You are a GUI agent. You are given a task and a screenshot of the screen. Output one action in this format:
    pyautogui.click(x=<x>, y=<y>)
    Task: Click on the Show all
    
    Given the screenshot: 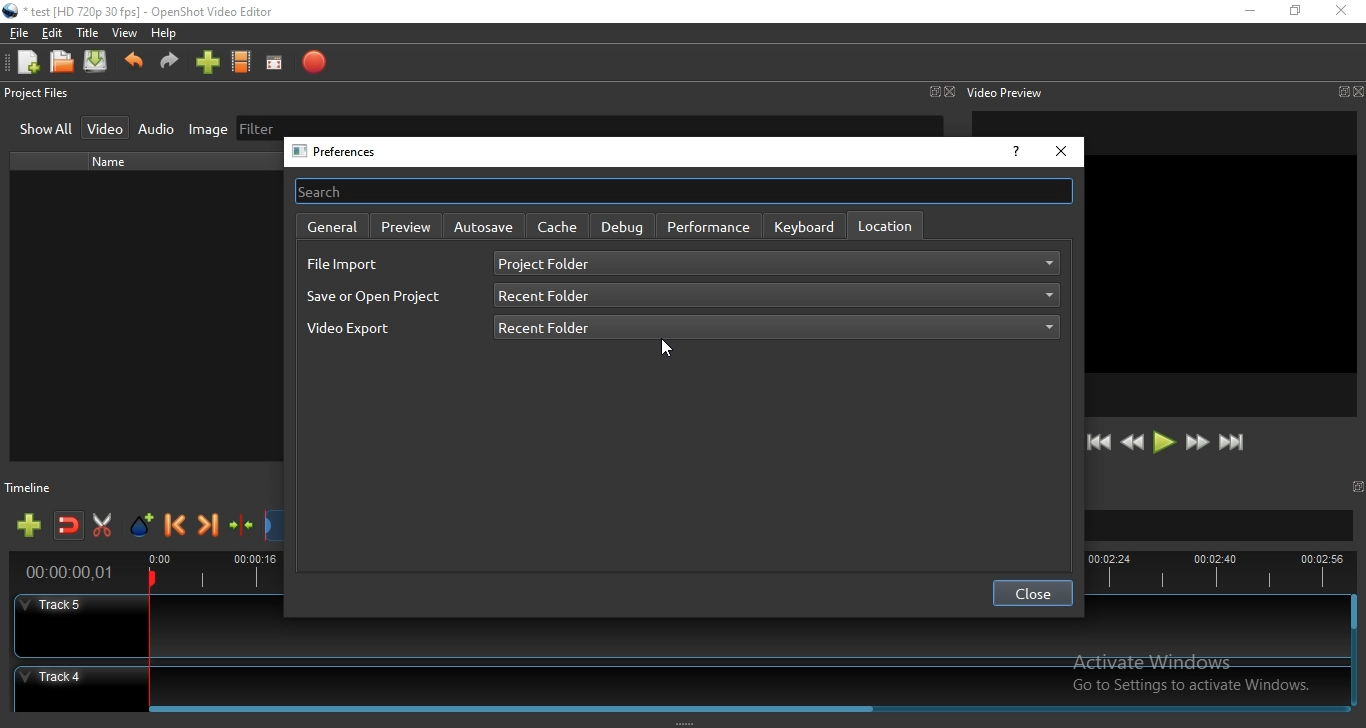 What is the action you would take?
    pyautogui.click(x=46, y=131)
    